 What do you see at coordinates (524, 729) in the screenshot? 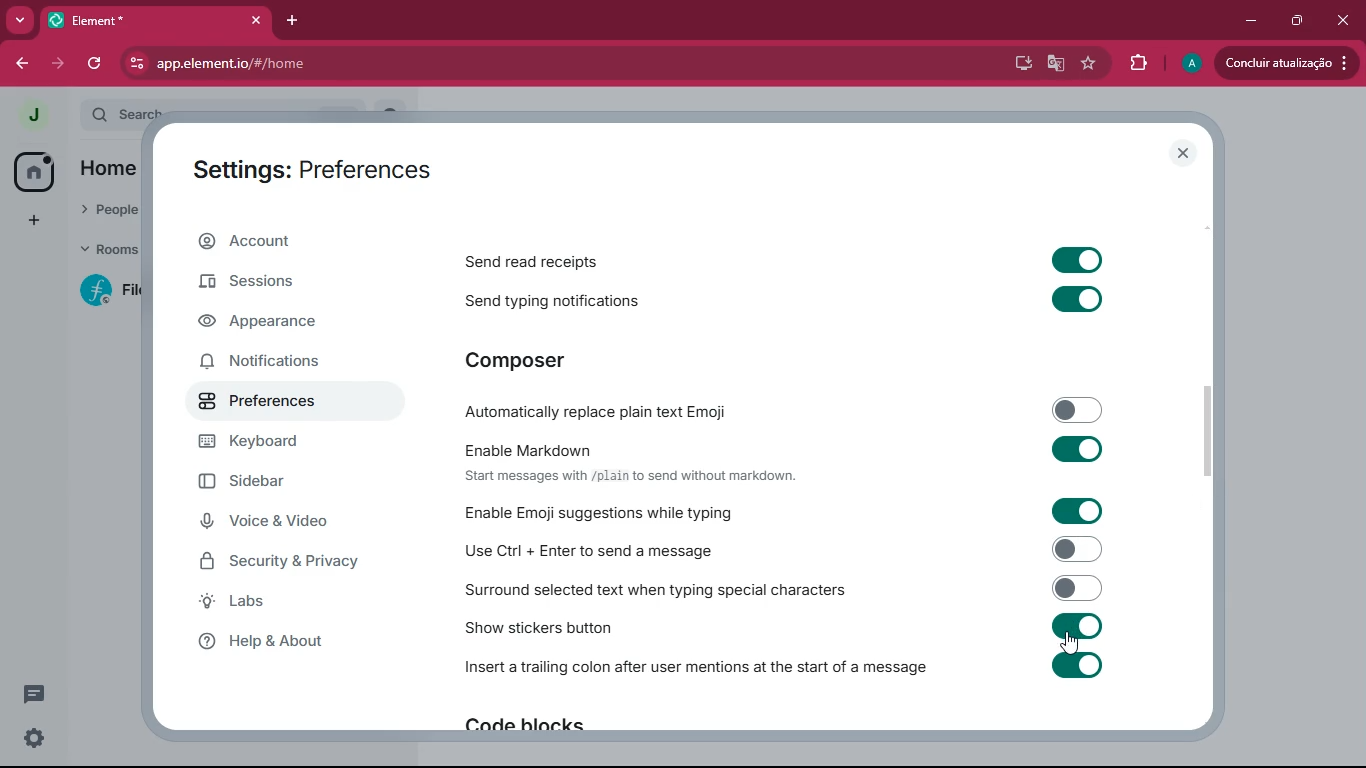
I see `Code blocks` at bounding box center [524, 729].